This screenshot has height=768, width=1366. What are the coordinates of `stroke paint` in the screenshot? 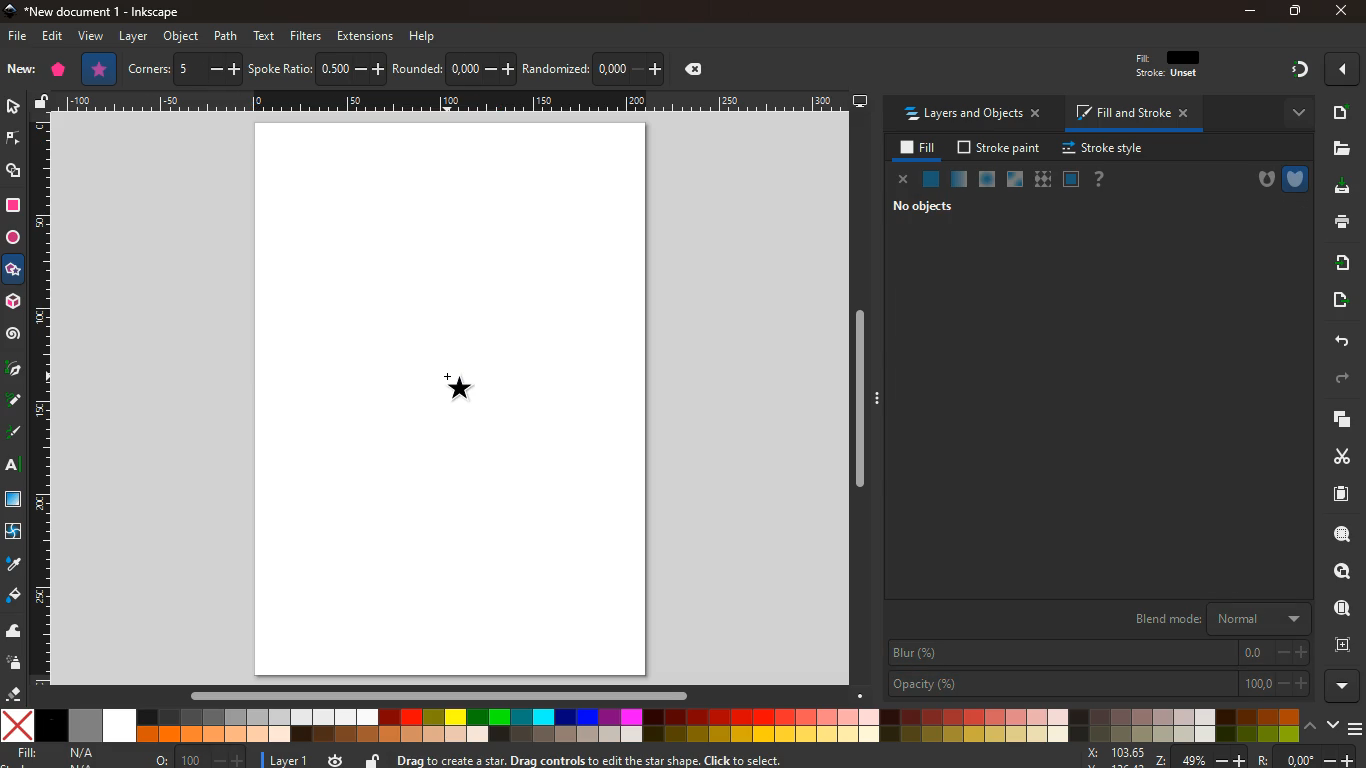 It's located at (1000, 146).